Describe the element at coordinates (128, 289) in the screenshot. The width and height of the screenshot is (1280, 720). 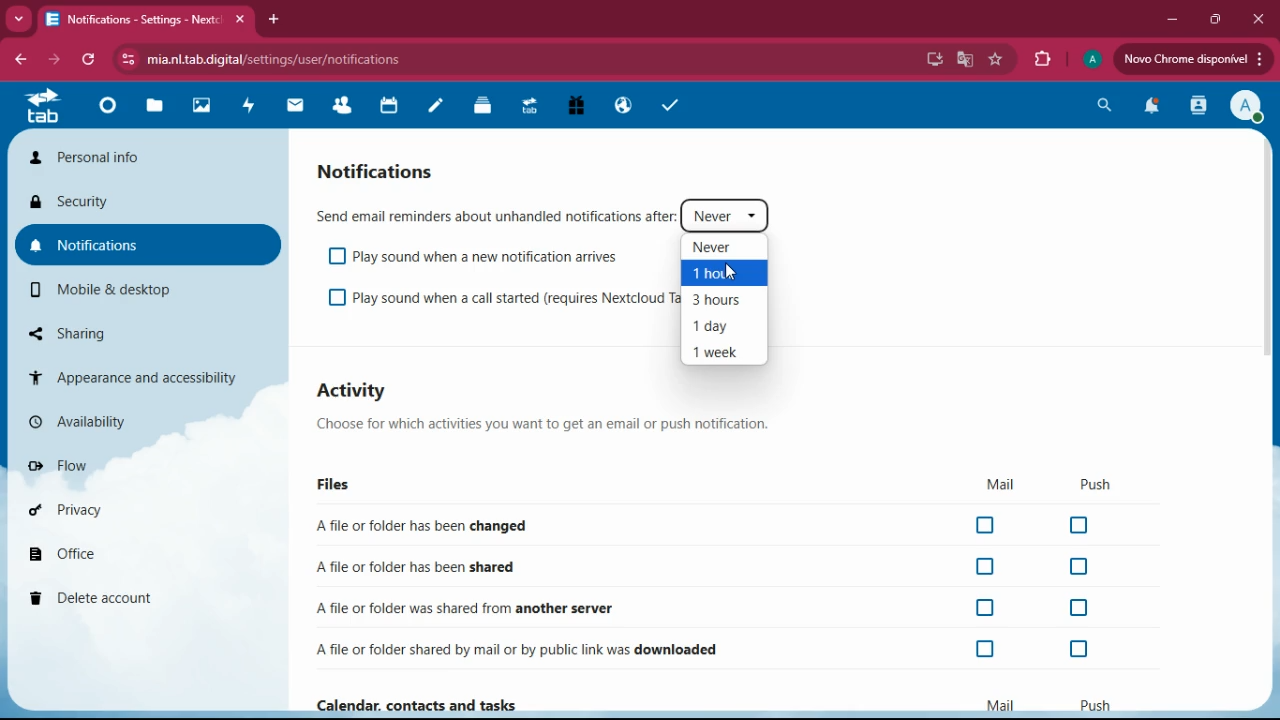
I see `mobile` at that location.